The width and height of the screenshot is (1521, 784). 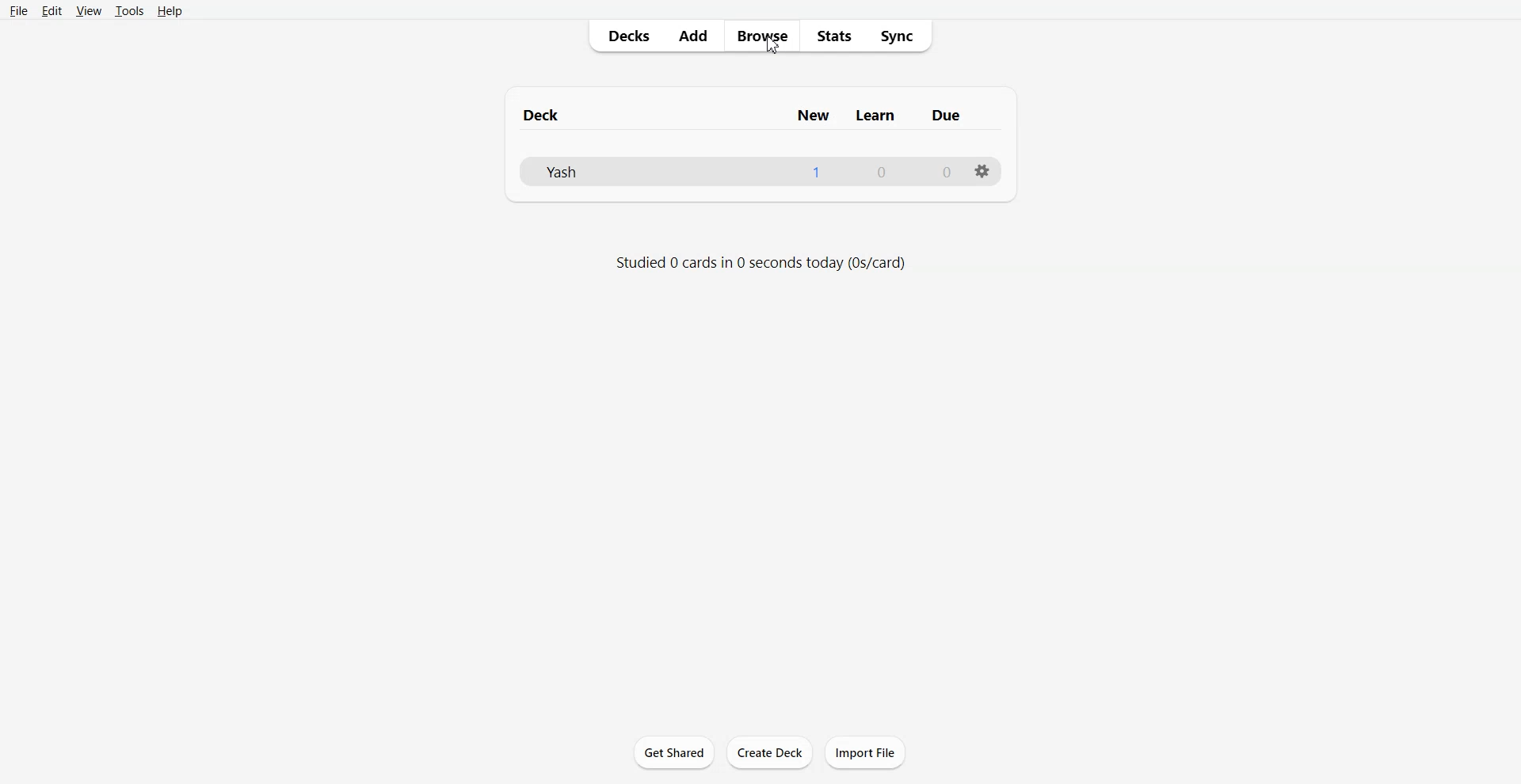 I want to click on Sync, so click(x=903, y=36).